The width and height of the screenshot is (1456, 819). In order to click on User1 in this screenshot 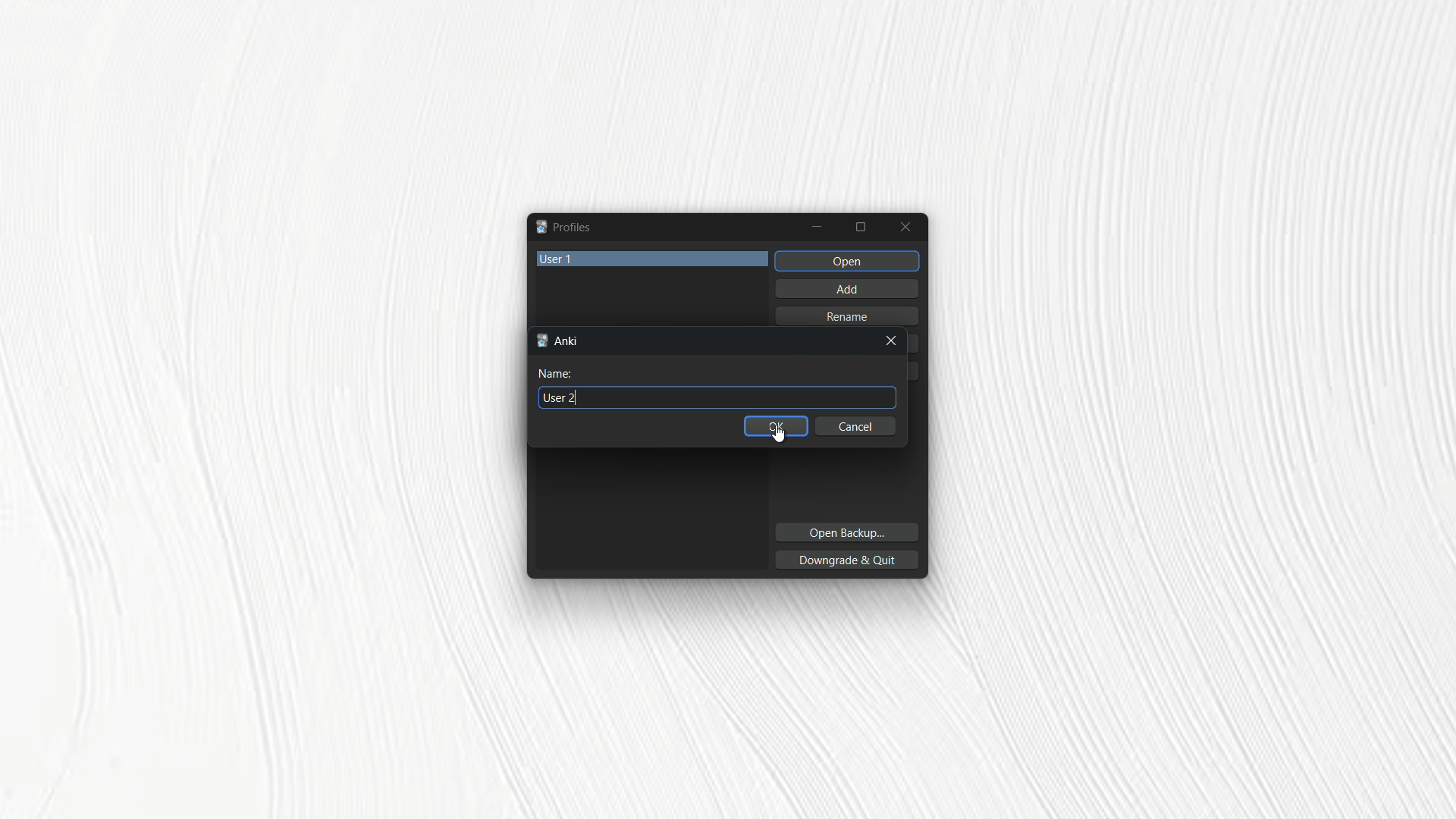, I will do `click(654, 257)`.